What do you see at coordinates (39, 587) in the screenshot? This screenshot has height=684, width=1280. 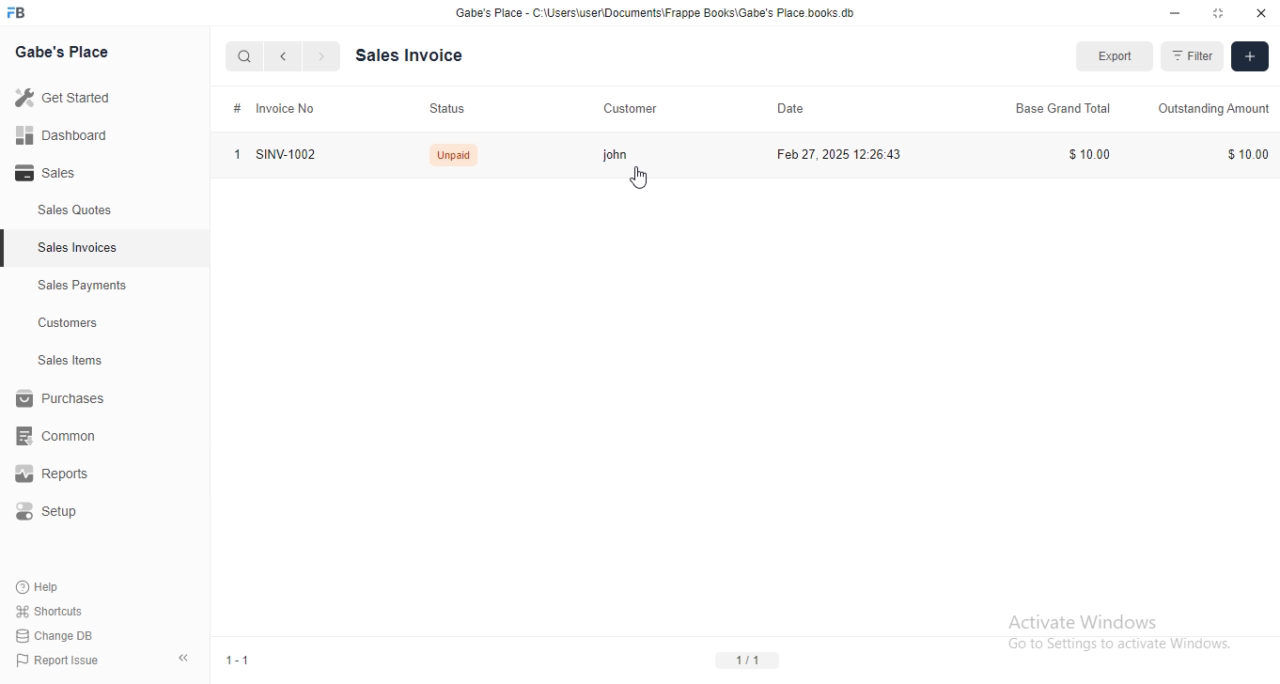 I see `help` at bounding box center [39, 587].